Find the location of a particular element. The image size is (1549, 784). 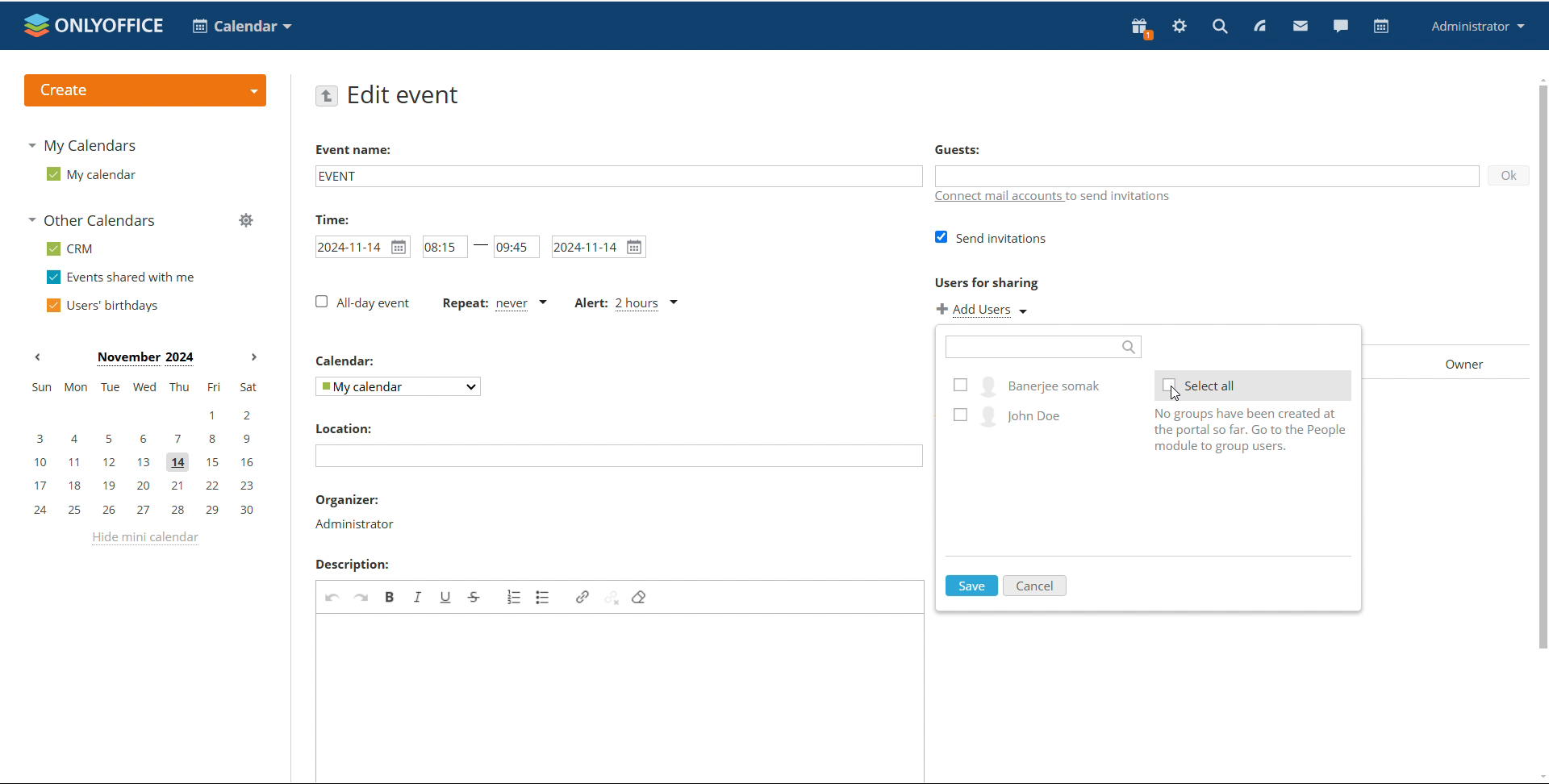

chat is located at coordinates (1340, 25).